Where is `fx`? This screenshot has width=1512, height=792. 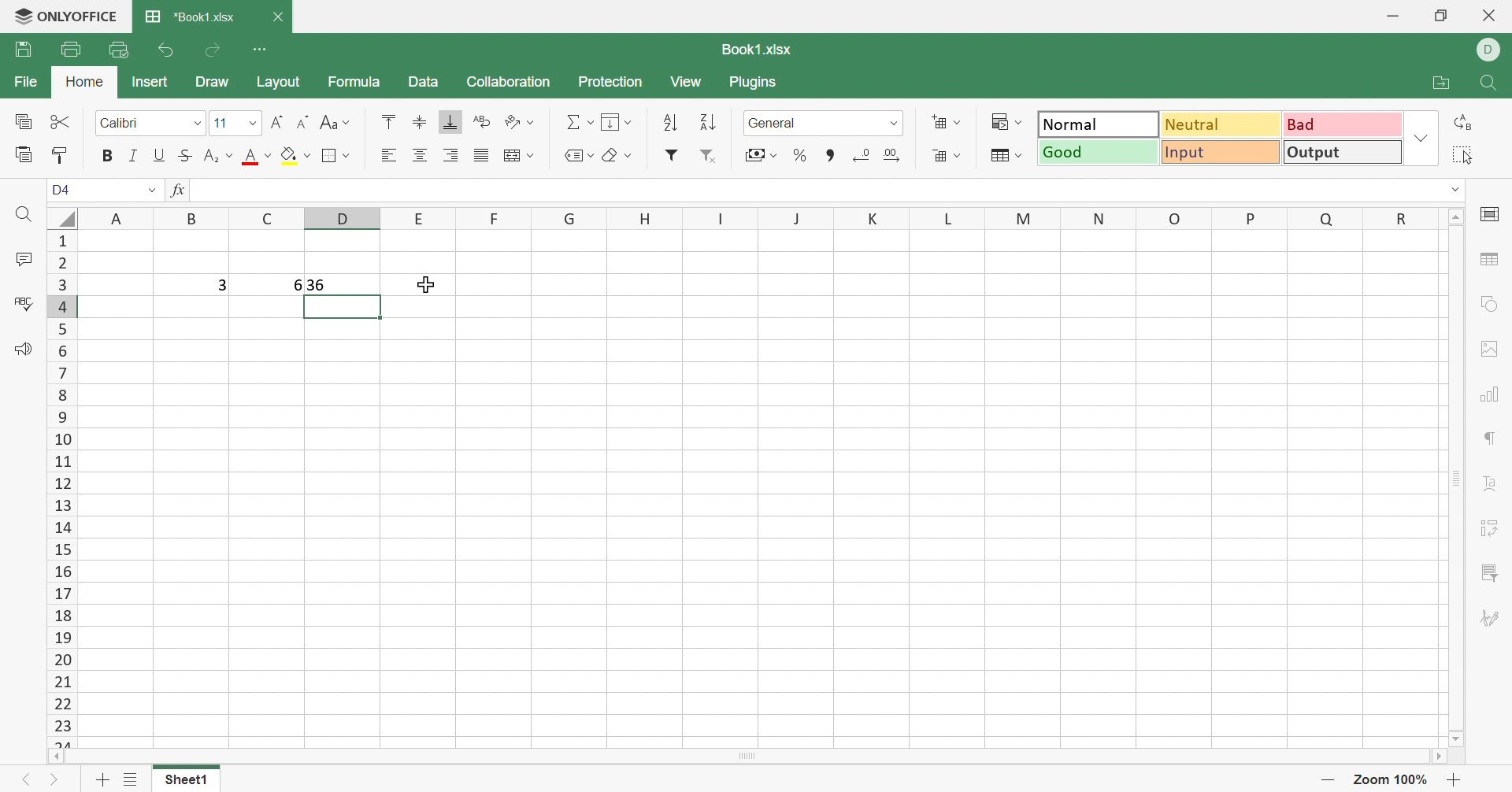 fx is located at coordinates (183, 191).